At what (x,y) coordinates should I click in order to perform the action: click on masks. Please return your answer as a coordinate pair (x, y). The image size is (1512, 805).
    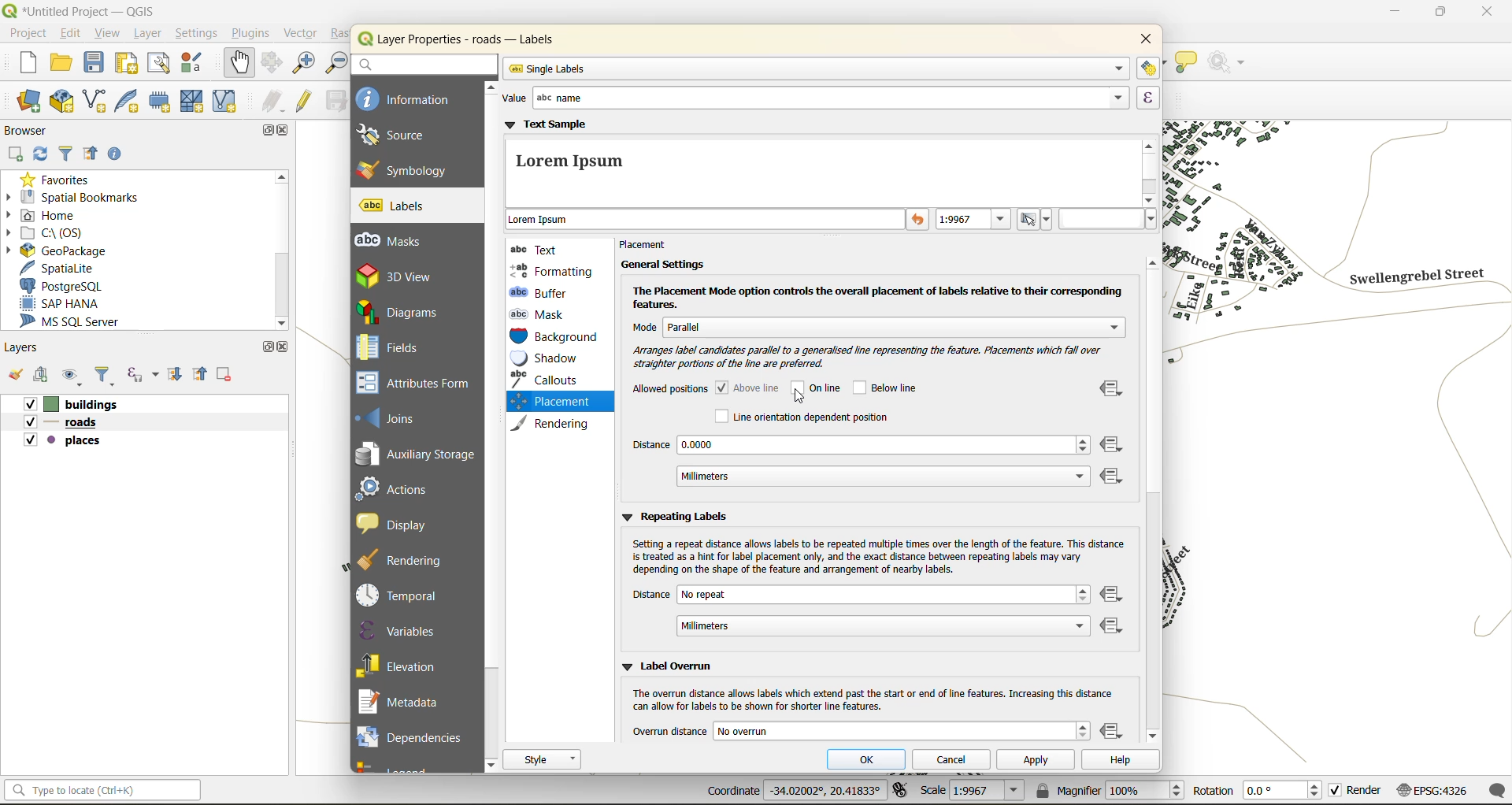
    Looking at the image, I should click on (397, 241).